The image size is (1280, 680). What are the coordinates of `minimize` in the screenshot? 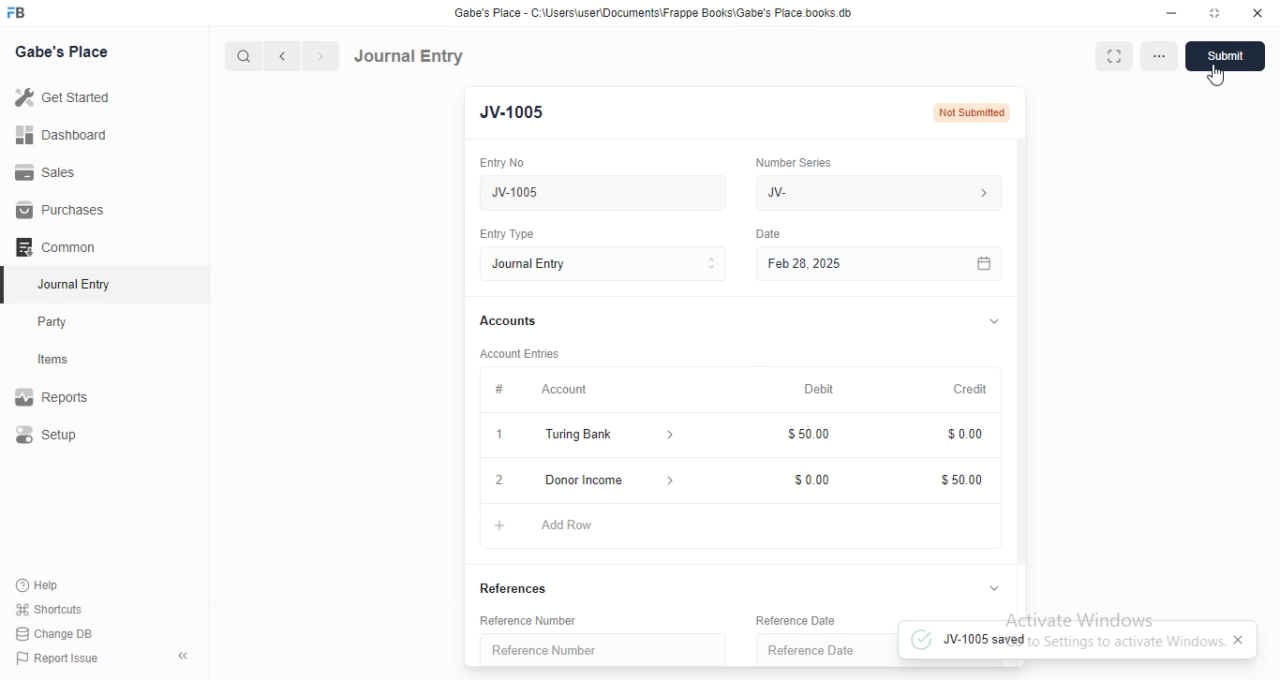 It's located at (1170, 16).